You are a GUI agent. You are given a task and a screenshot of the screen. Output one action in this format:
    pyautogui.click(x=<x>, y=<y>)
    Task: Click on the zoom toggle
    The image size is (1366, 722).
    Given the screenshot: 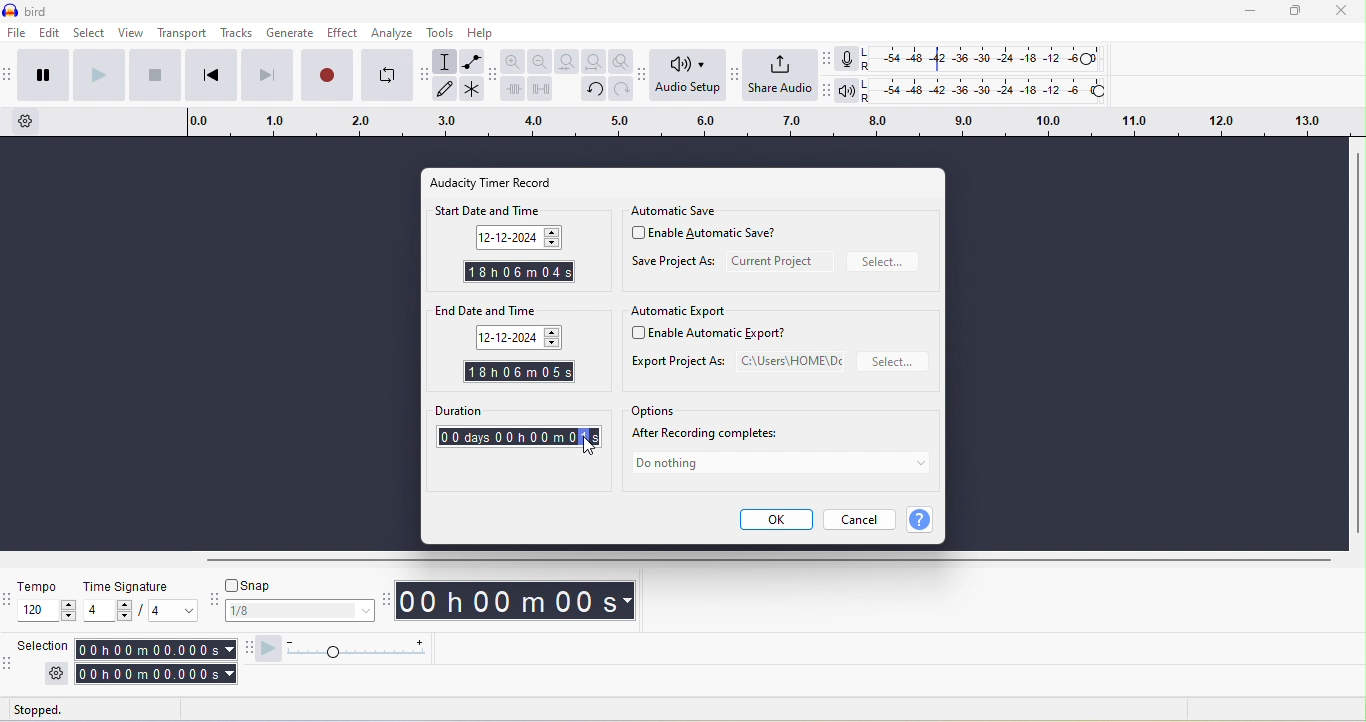 What is the action you would take?
    pyautogui.click(x=620, y=61)
    